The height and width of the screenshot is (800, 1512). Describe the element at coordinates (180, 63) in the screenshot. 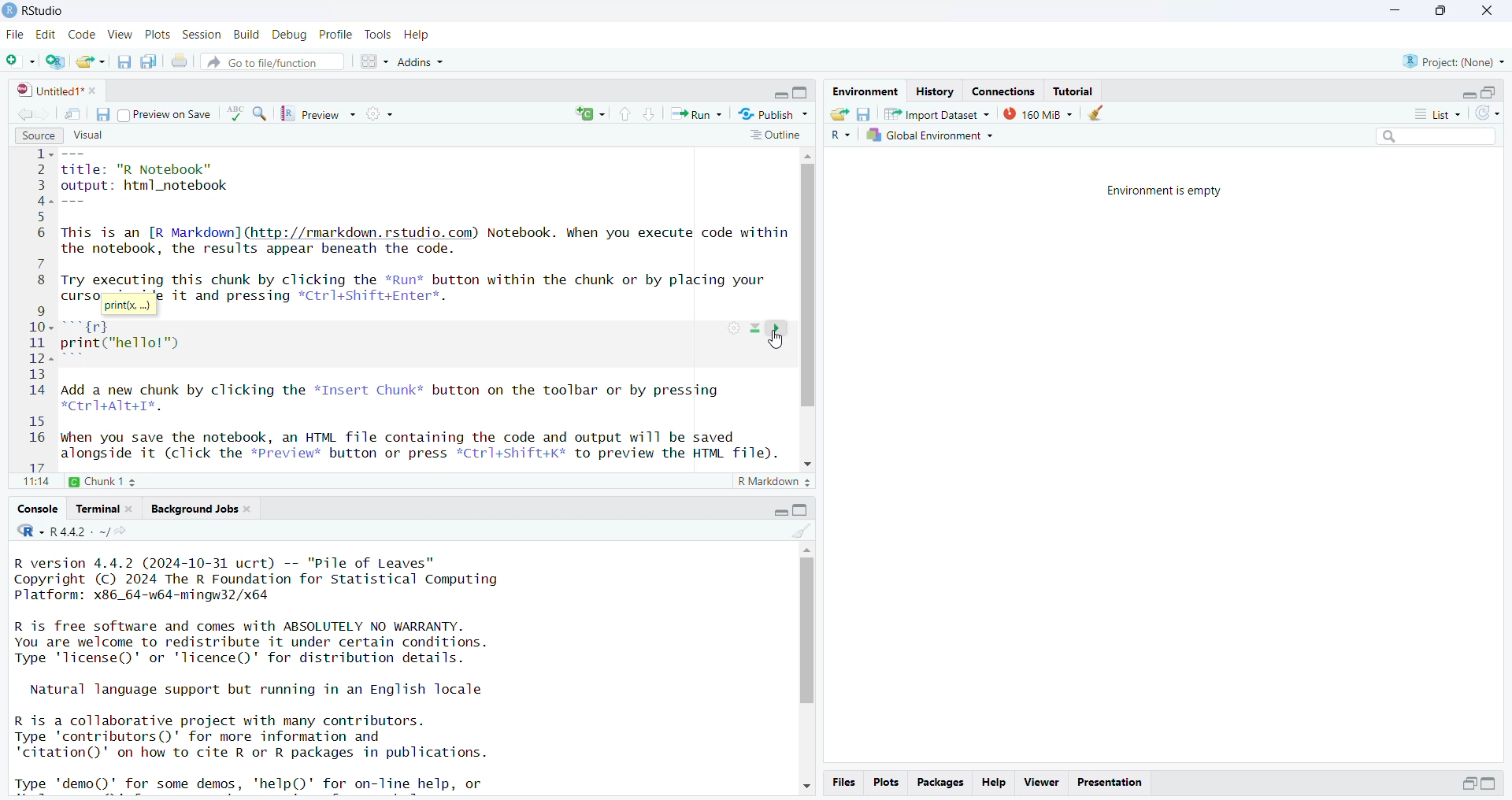

I see `print current file` at that location.